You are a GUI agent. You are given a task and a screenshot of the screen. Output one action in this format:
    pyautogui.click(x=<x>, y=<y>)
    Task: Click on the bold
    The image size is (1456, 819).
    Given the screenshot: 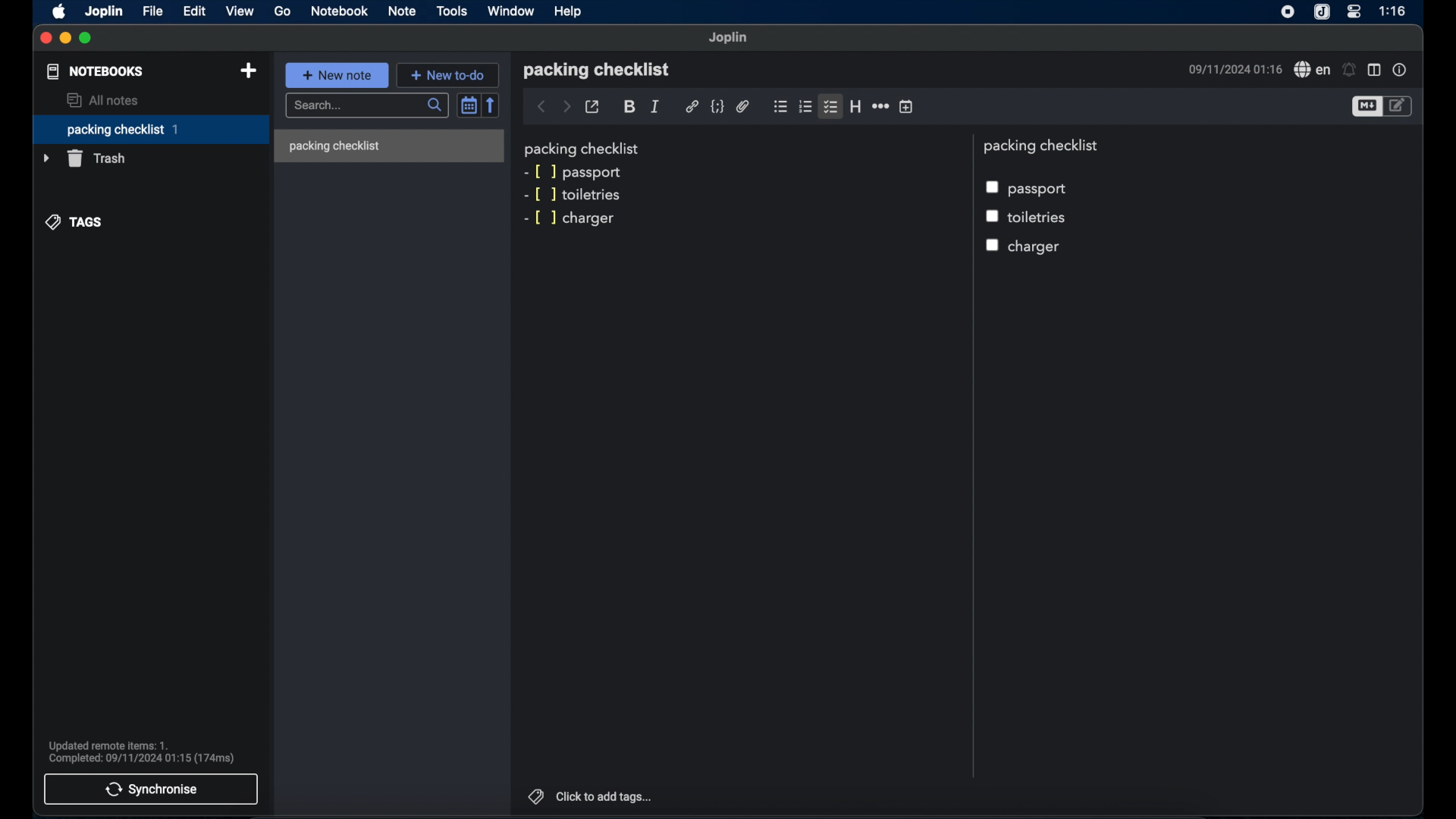 What is the action you would take?
    pyautogui.click(x=629, y=107)
    